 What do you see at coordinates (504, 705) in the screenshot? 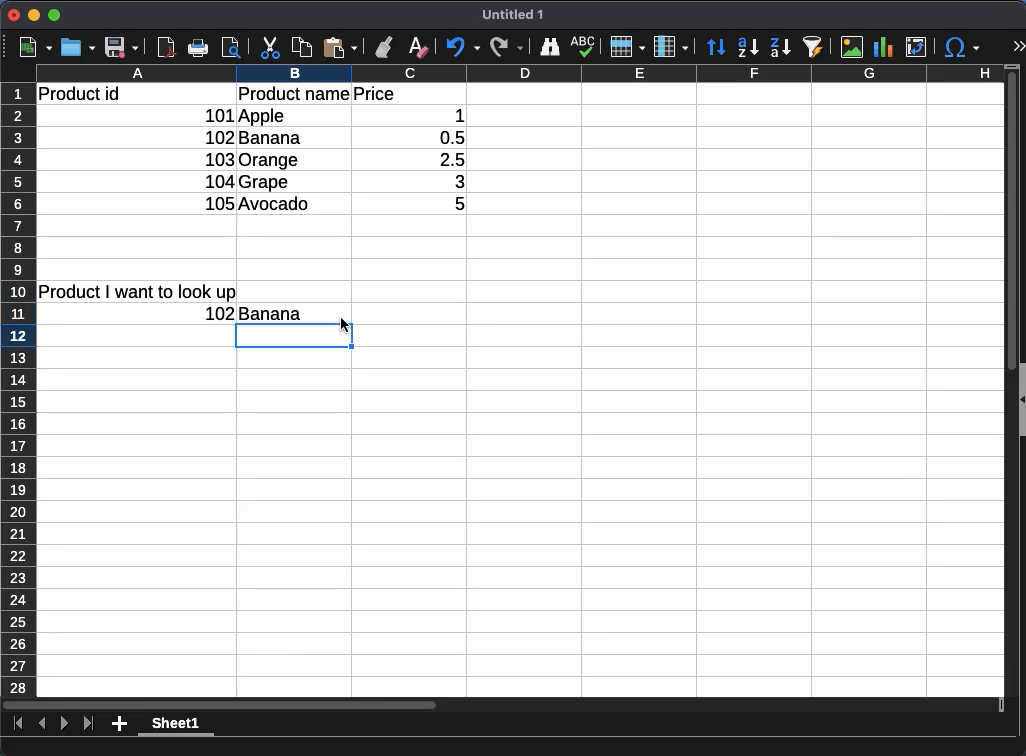
I see `Horizontal scroll` at bounding box center [504, 705].